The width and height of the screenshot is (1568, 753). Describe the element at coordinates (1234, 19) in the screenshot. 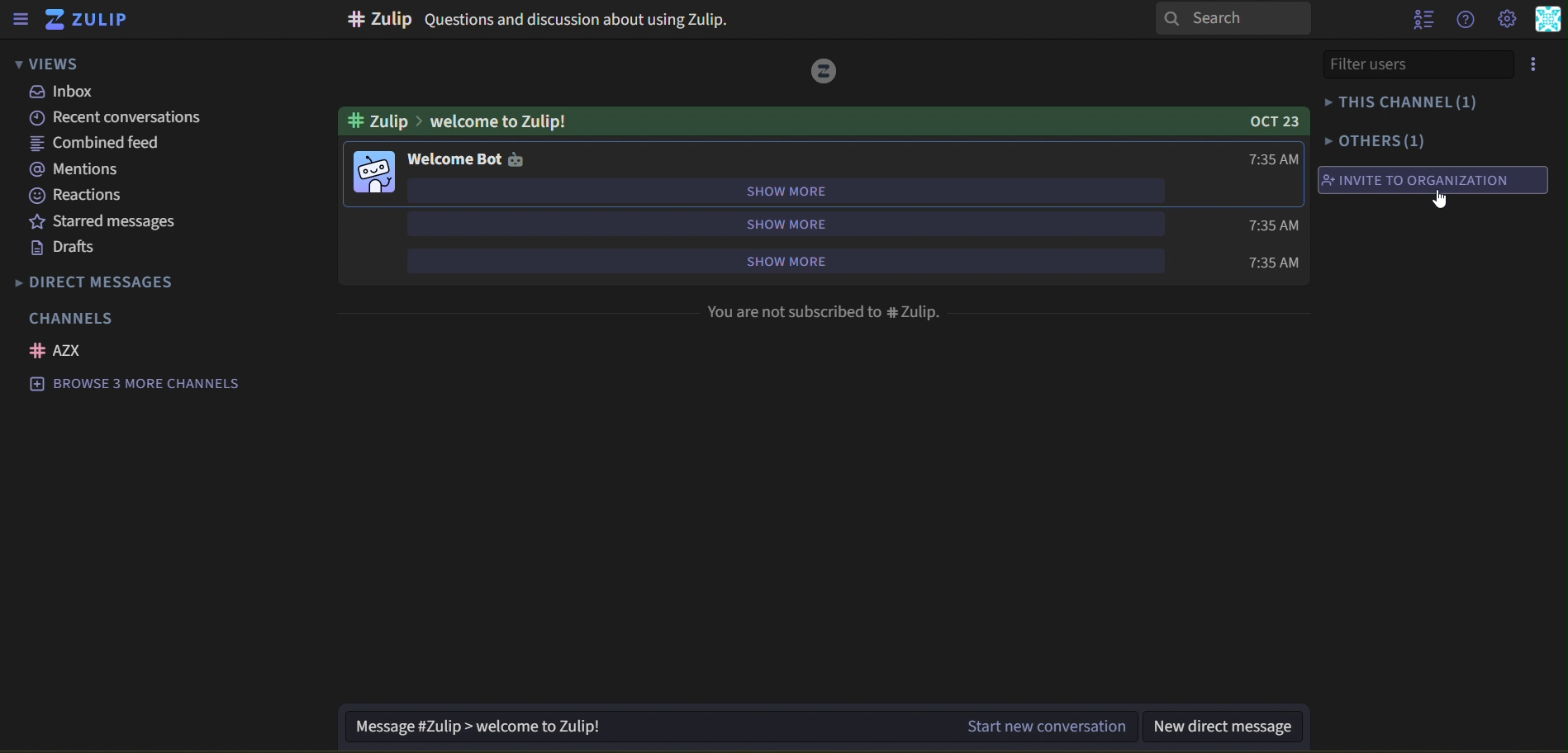

I see `search` at that location.